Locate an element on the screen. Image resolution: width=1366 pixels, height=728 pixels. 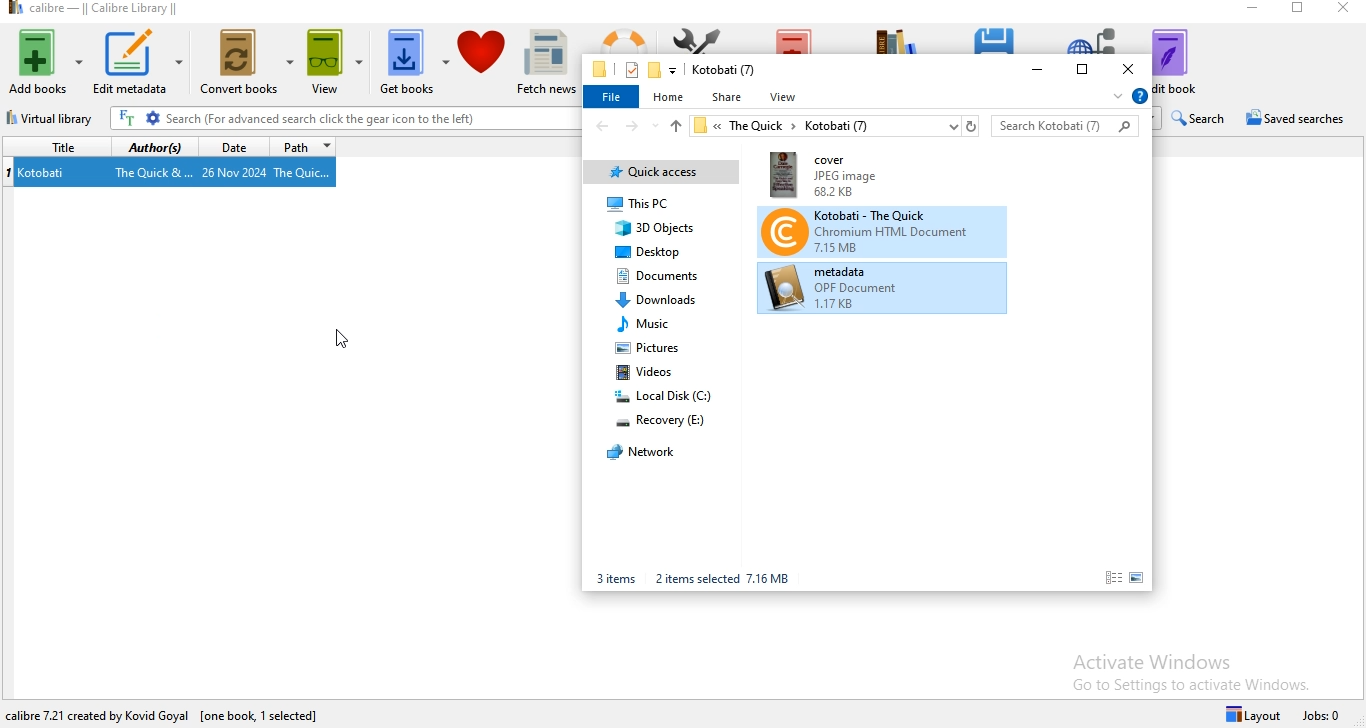
music is located at coordinates (647, 323).